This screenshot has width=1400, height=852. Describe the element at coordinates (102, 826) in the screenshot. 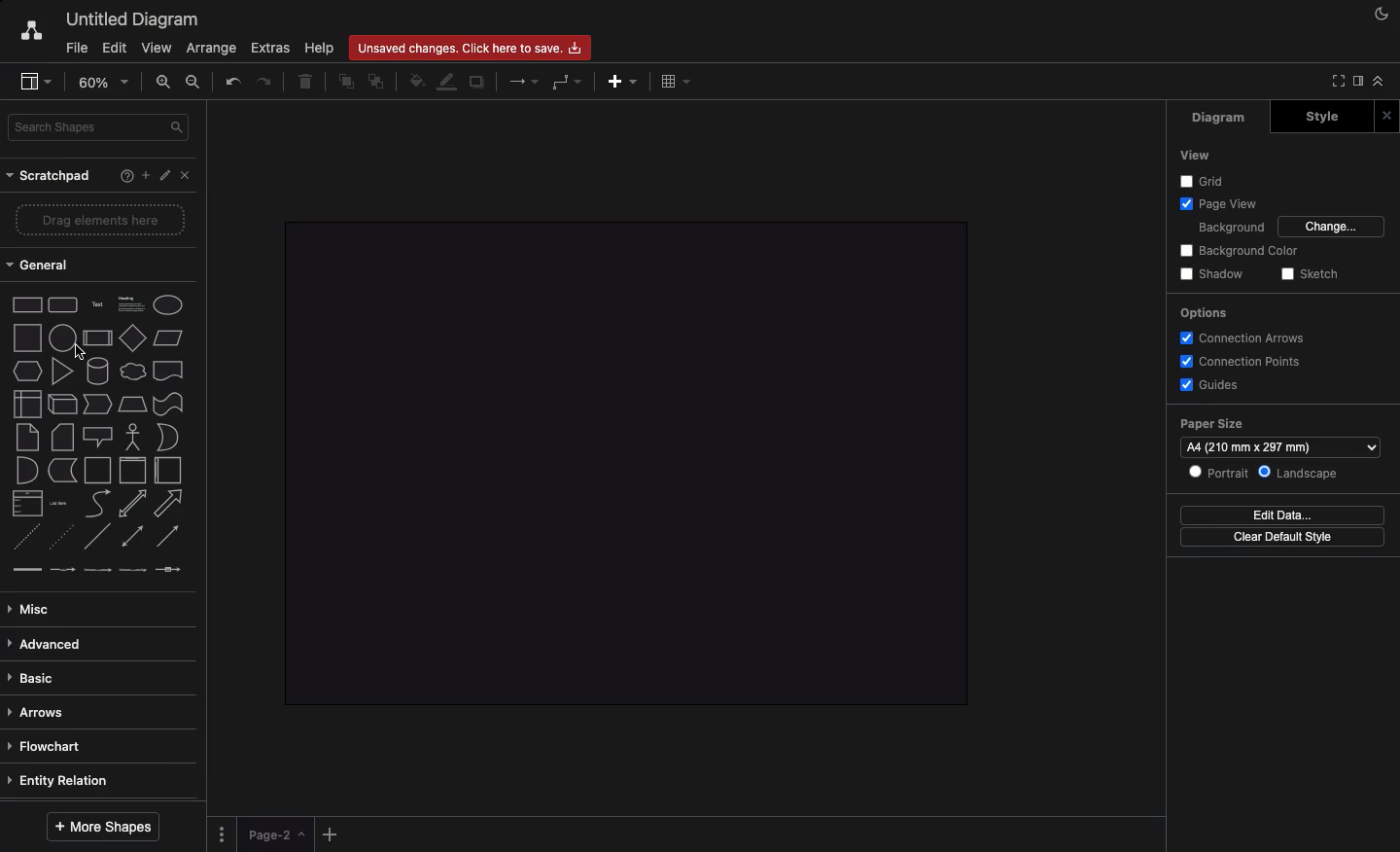

I see `More shapes` at that location.